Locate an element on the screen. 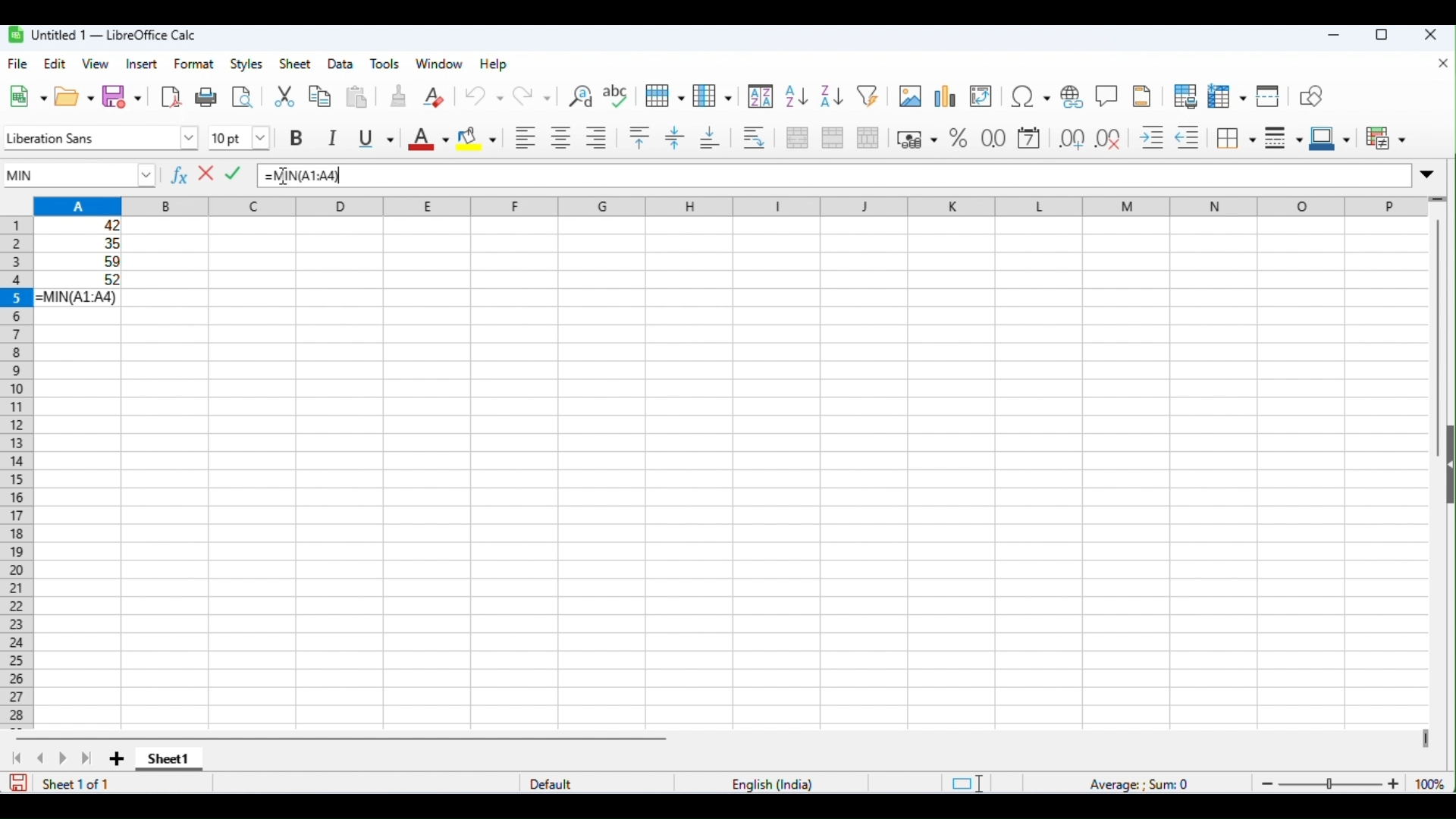  center vertically is located at coordinates (675, 138).